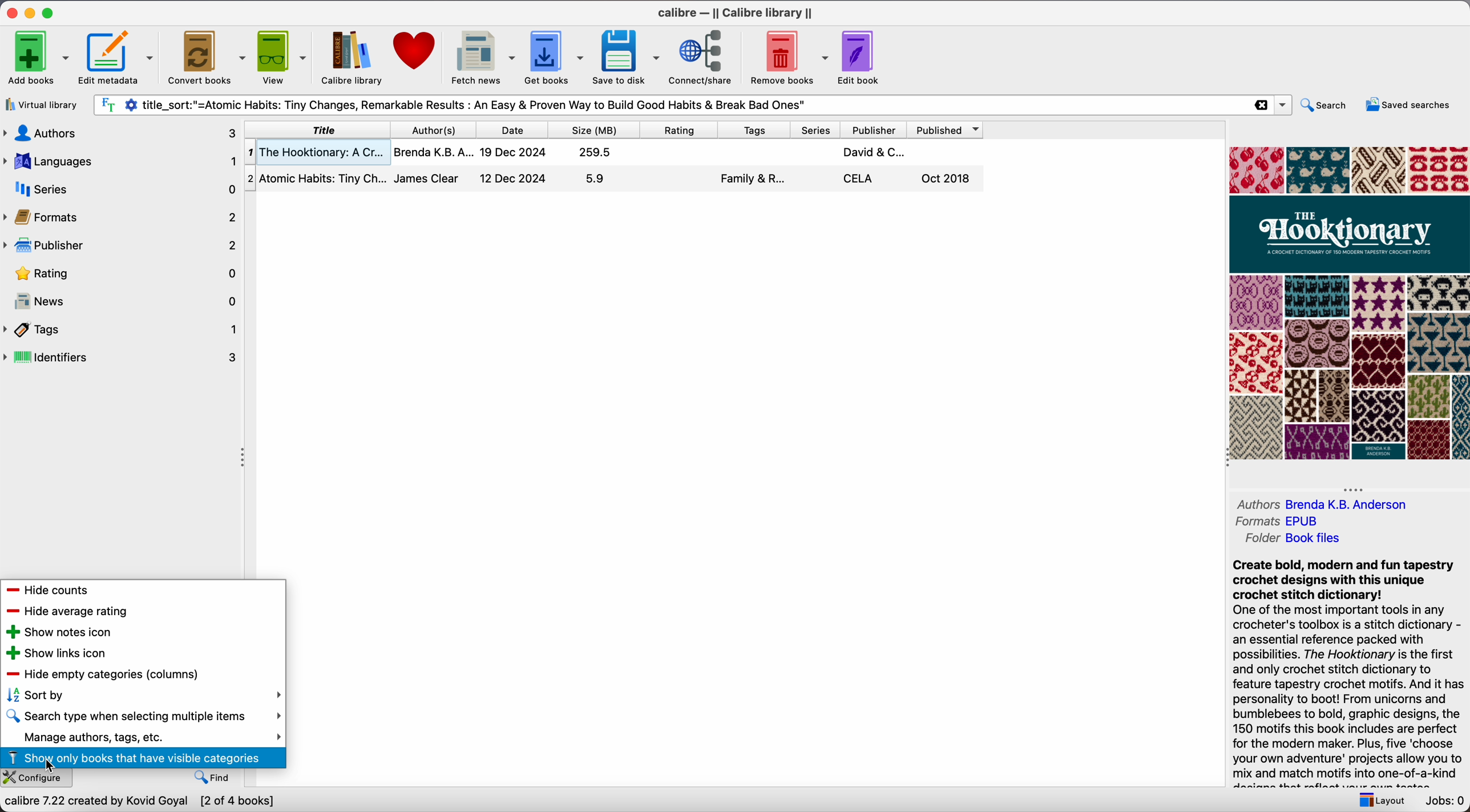 The height and width of the screenshot is (812, 1470). I want to click on 259.5, so click(597, 152).